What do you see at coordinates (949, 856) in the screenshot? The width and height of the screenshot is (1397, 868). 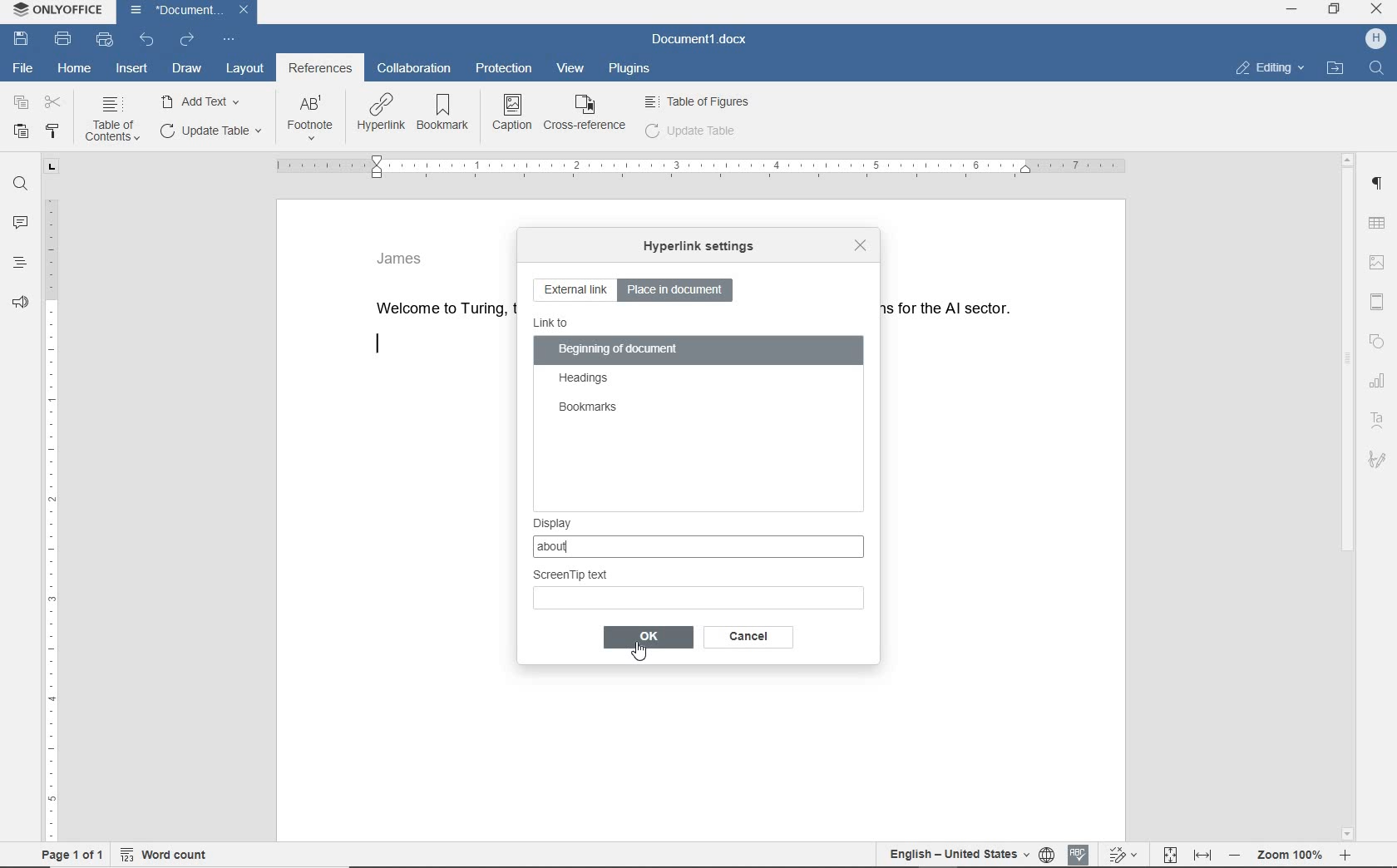 I see `English - United States` at bounding box center [949, 856].